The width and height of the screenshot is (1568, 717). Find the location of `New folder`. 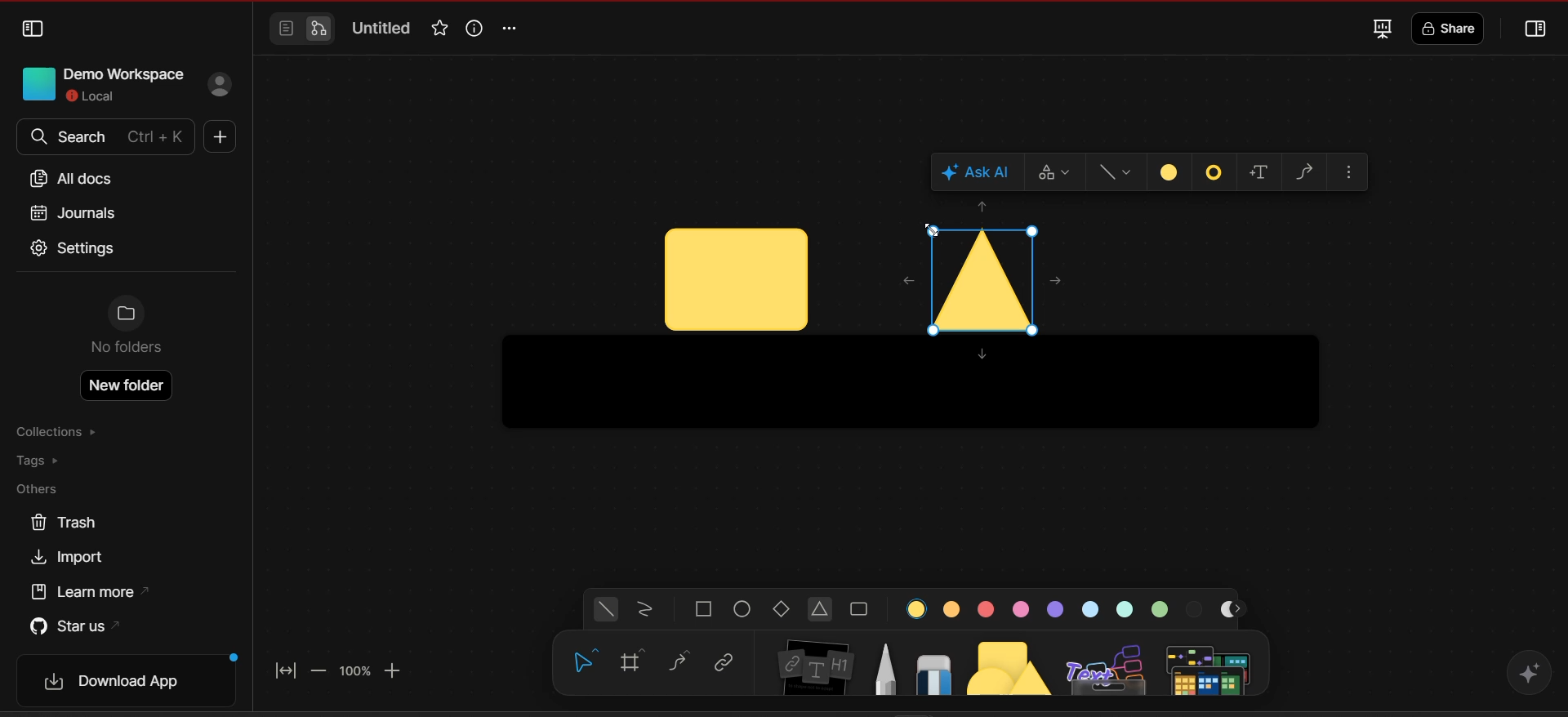

New folder is located at coordinates (128, 385).